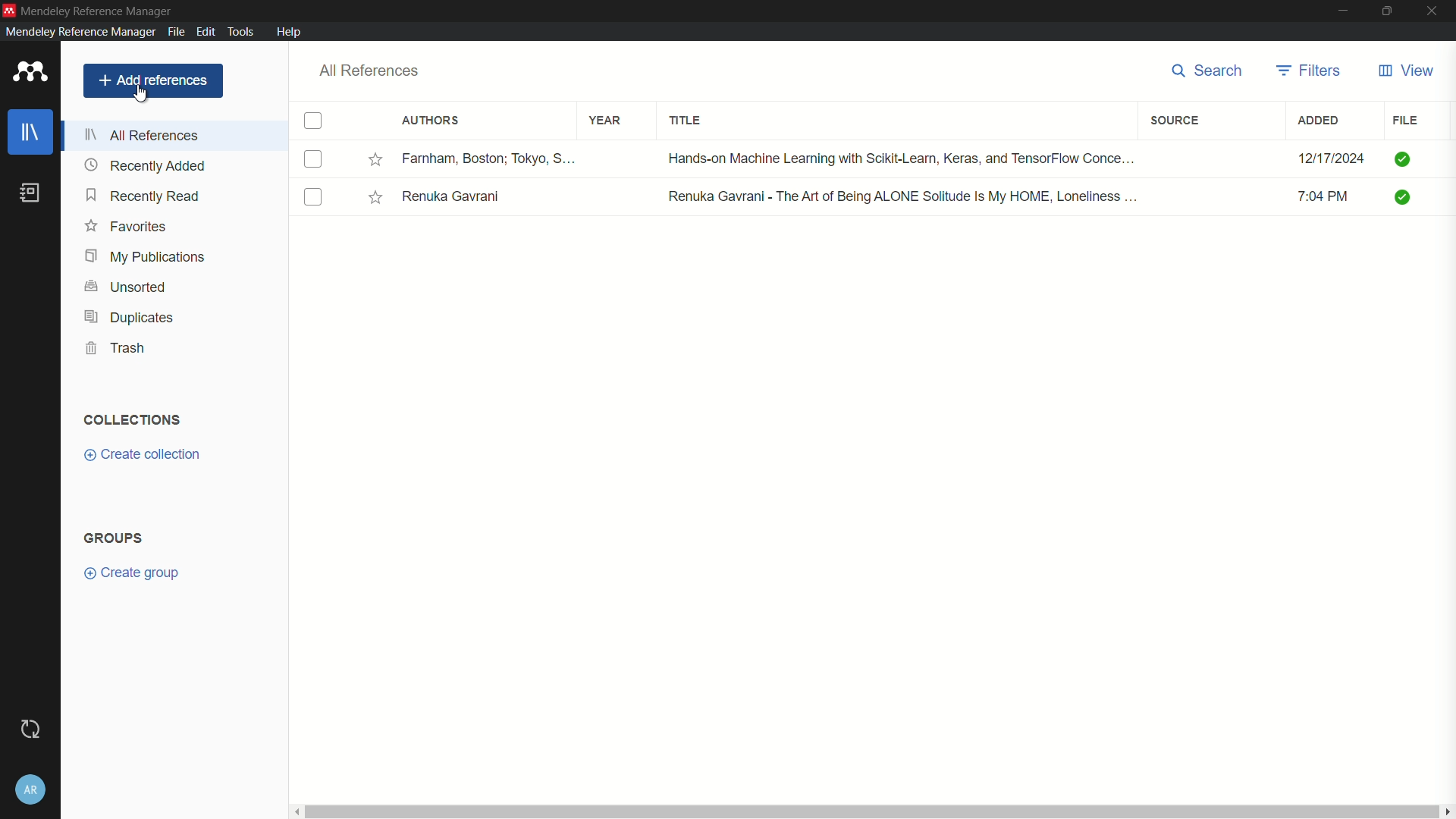 This screenshot has width=1456, height=819. What do you see at coordinates (146, 165) in the screenshot?
I see `recently added` at bounding box center [146, 165].